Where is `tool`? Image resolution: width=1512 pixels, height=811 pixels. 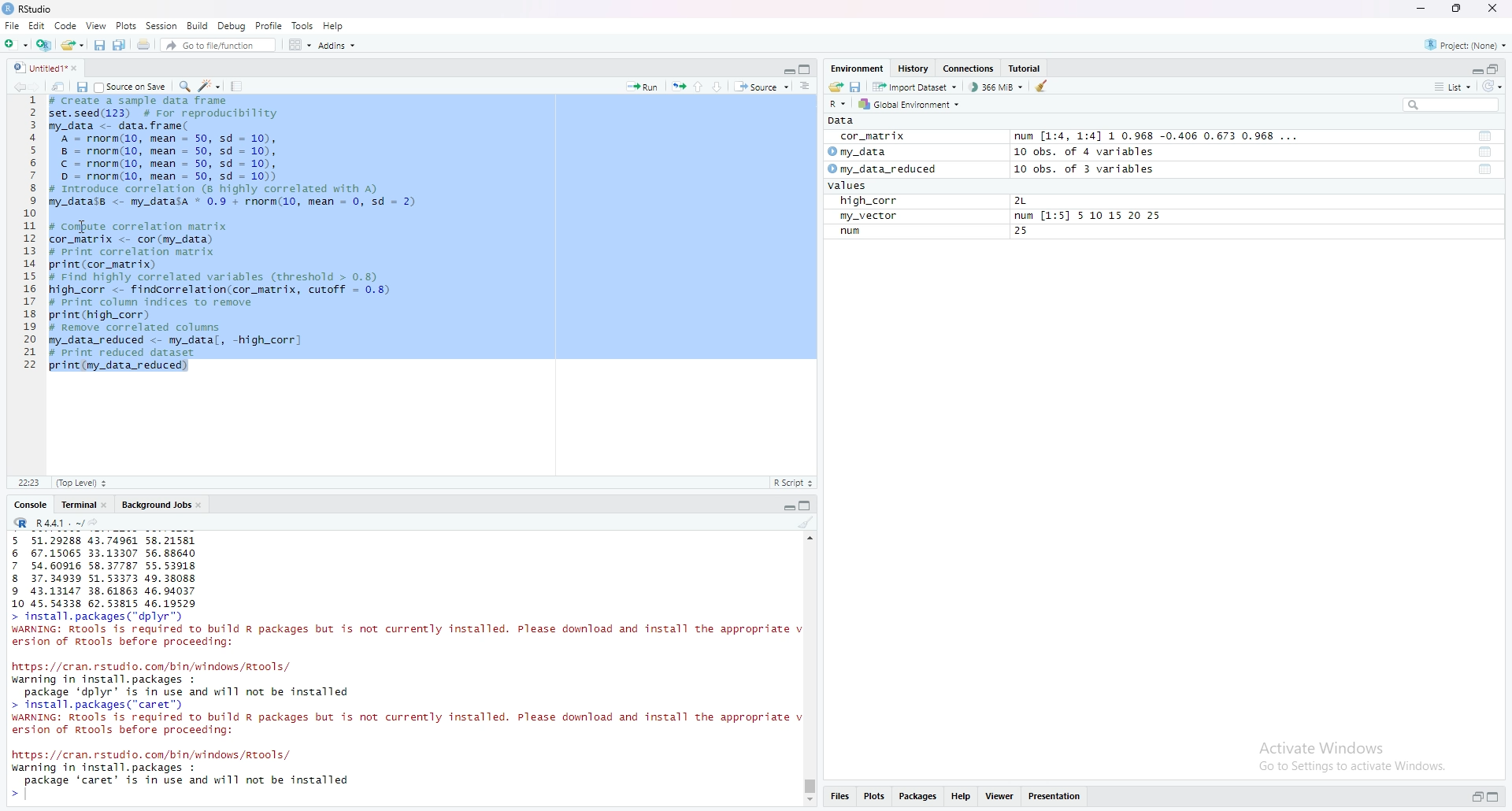
tool is located at coordinates (1488, 169).